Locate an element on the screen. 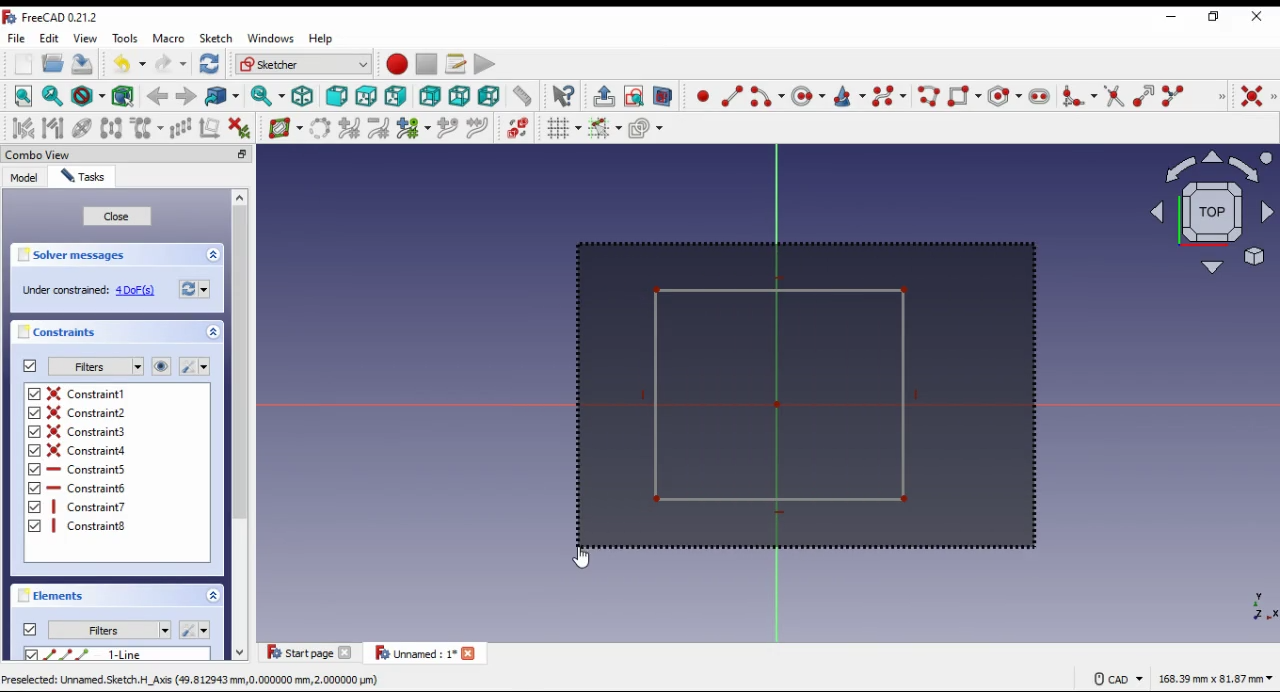  increase bspline degree is located at coordinates (350, 129).